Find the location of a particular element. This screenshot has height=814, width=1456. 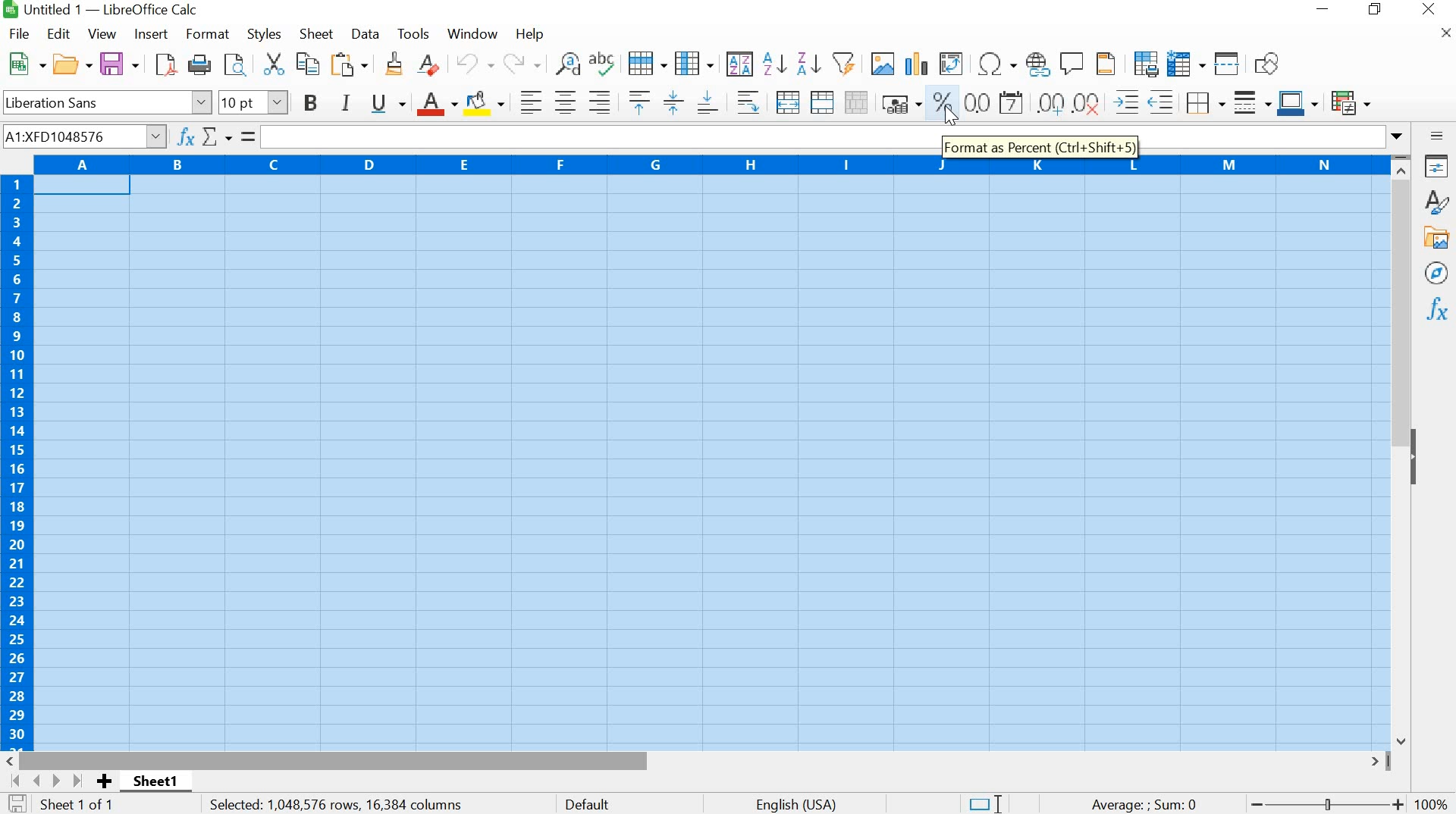

Split window is located at coordinates (1225, 64).